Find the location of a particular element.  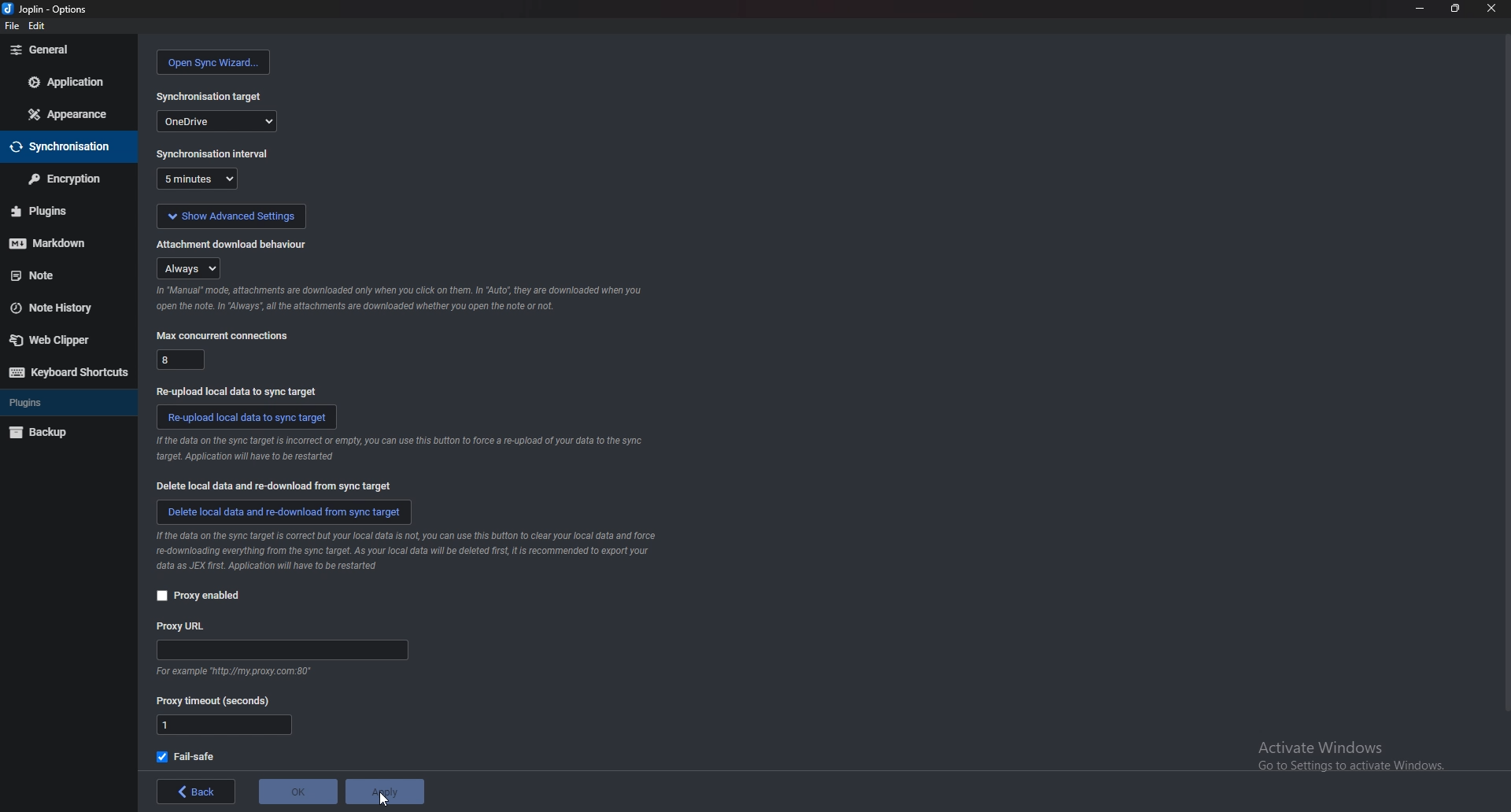

edit is located at coordinates (38, 24).